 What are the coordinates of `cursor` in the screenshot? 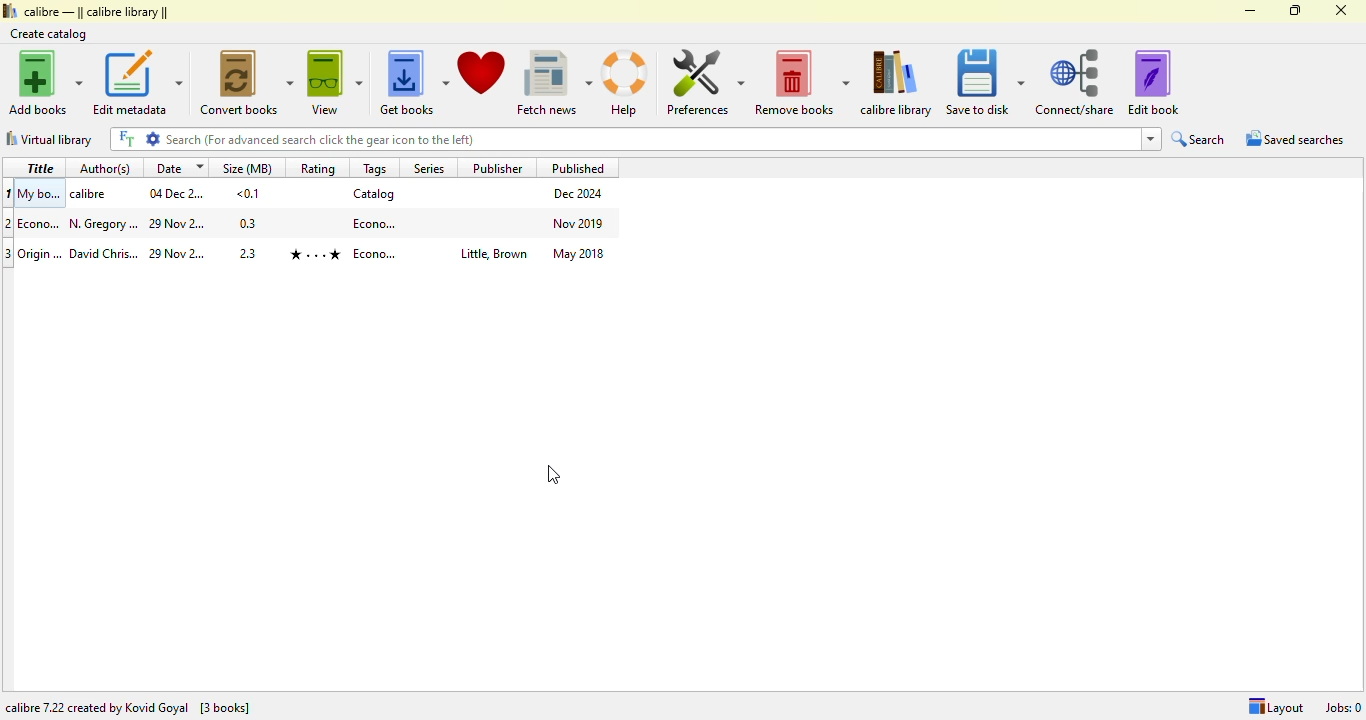 It's located at (553, 475).